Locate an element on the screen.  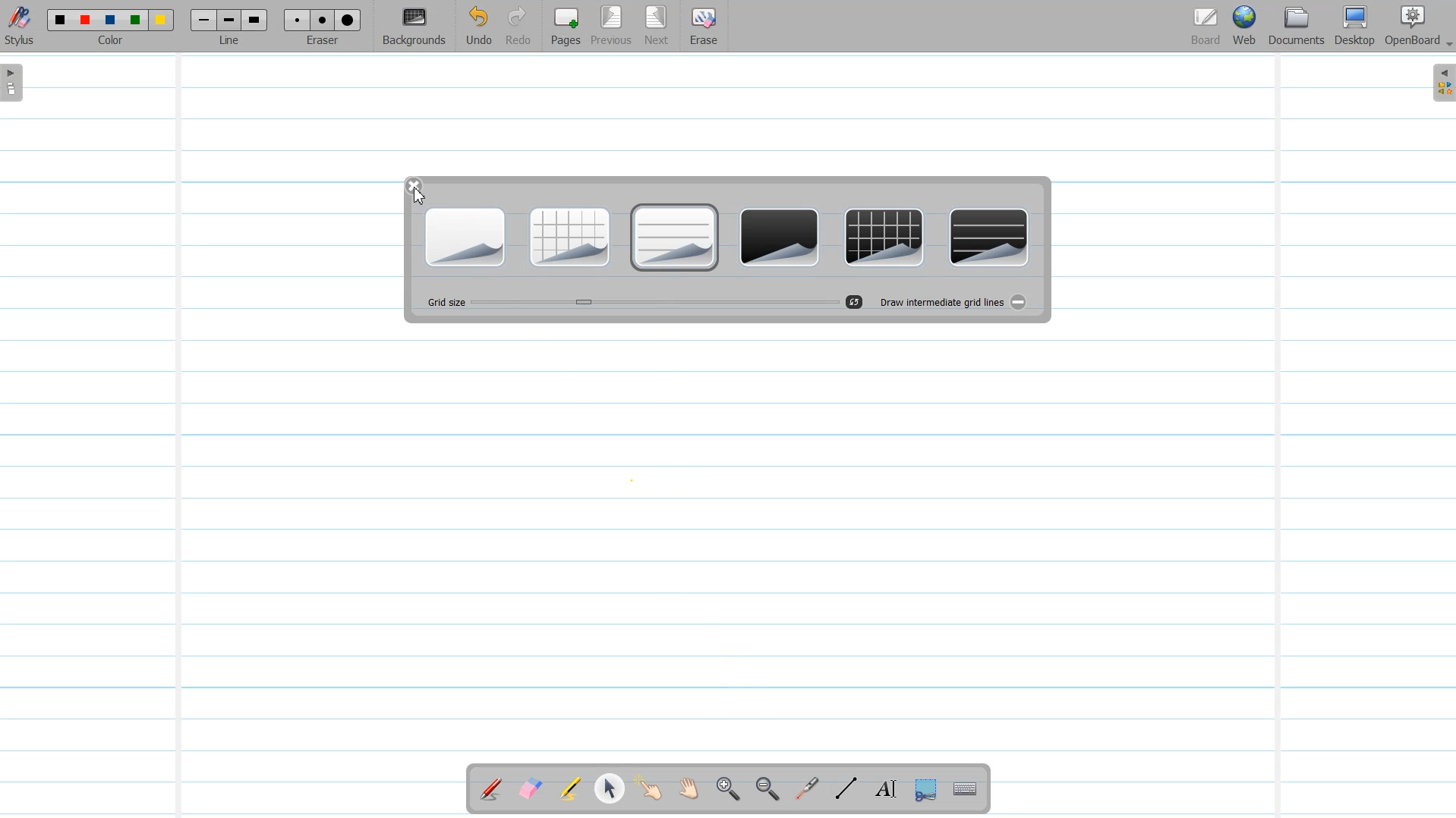
Scroll Page is located at coordinates (689, 790).